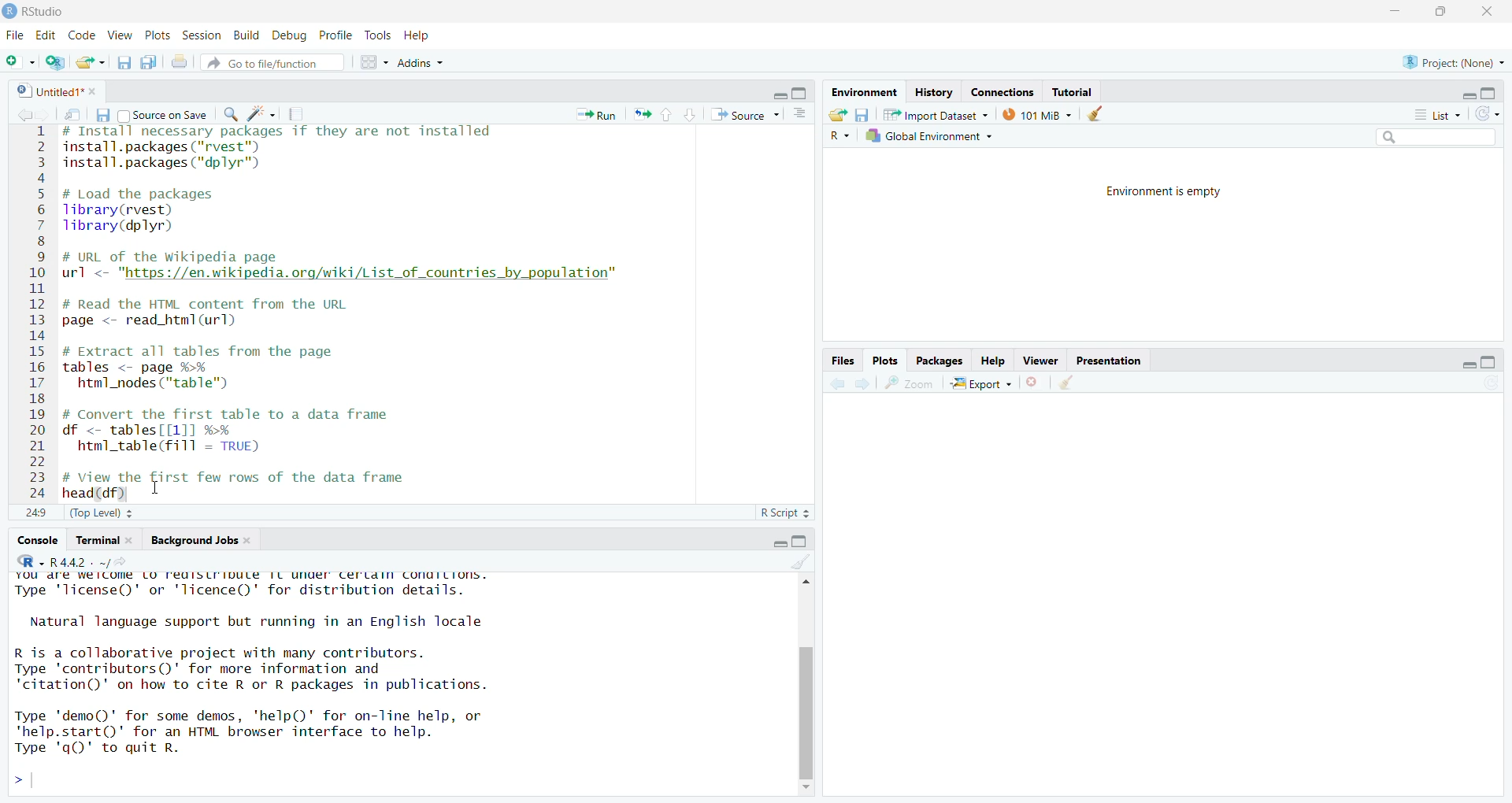 The image size is (1512, 803). What do you see at coordinates (1469, 95) in the screenshot?
I see `minimize` at bounding box center [1469, 95].